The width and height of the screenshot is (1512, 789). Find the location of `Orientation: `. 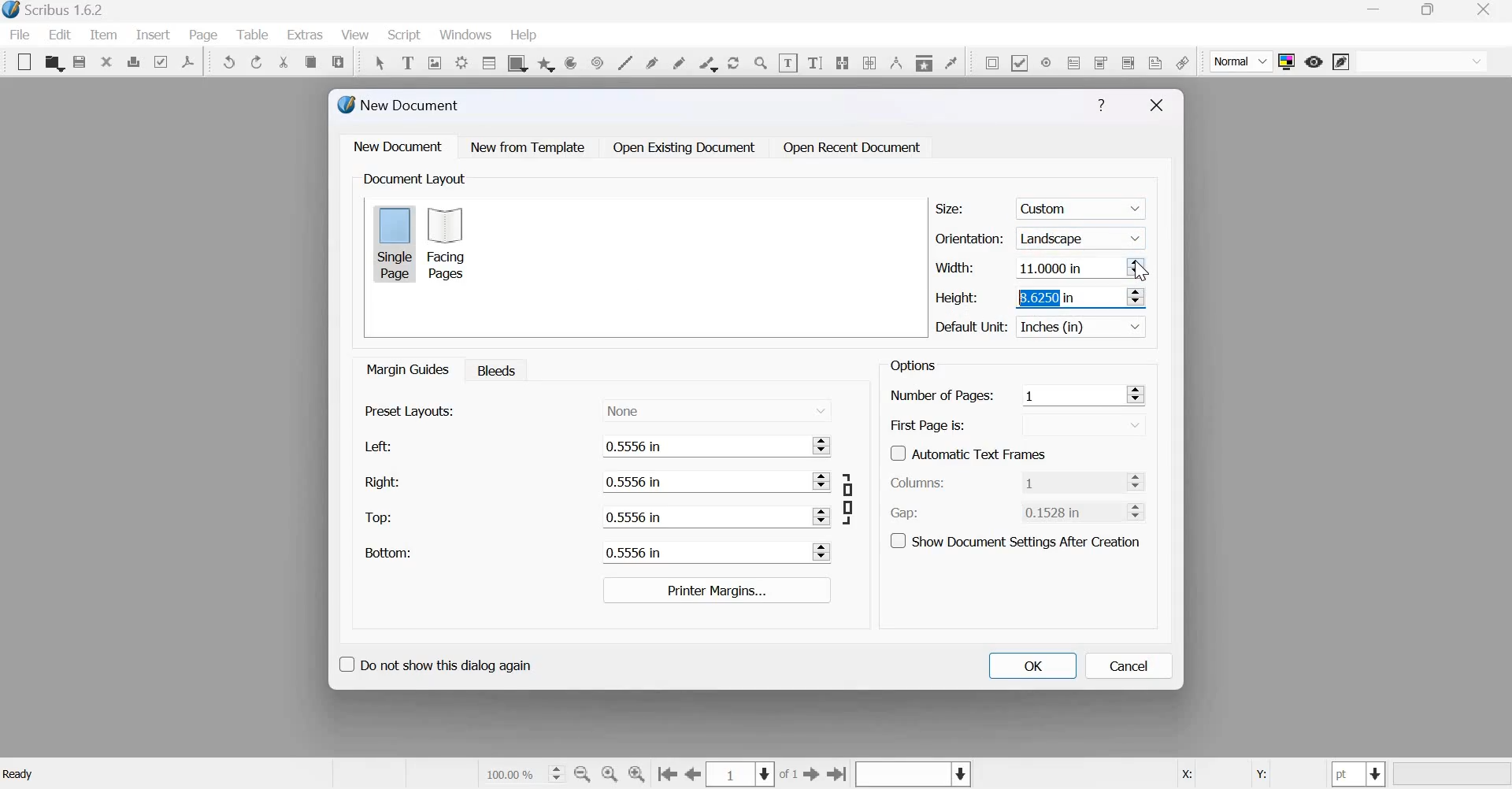

Orientation:  is located at coordinates (969, 237).